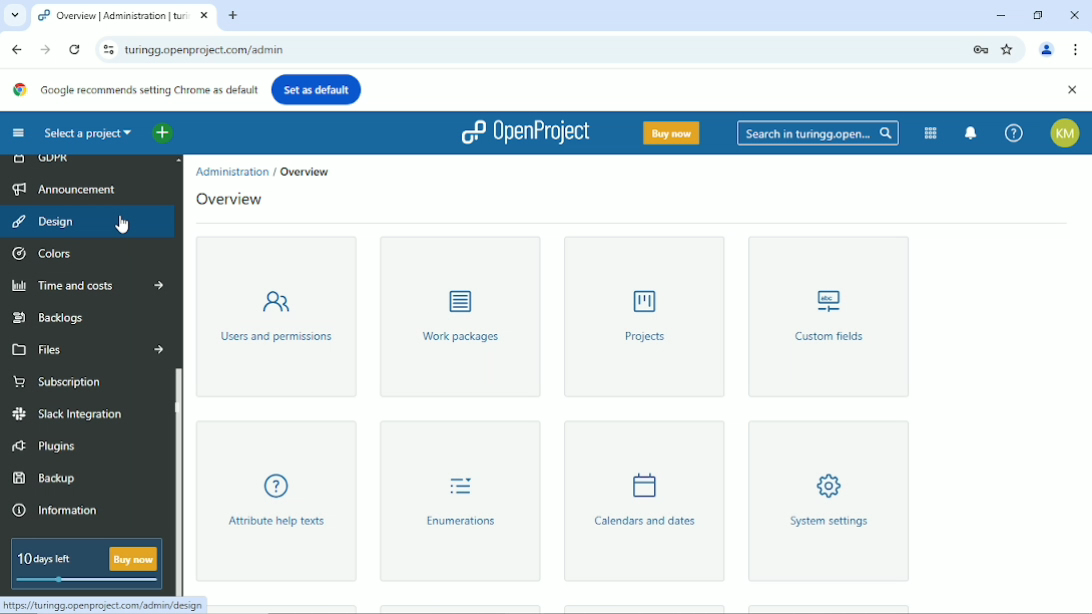 The width and height of the screenshot is (1092, 614). What do you see at coordinates (233, 17) in the screenshot?
I see `New tab` at bounding box center [233, 17].